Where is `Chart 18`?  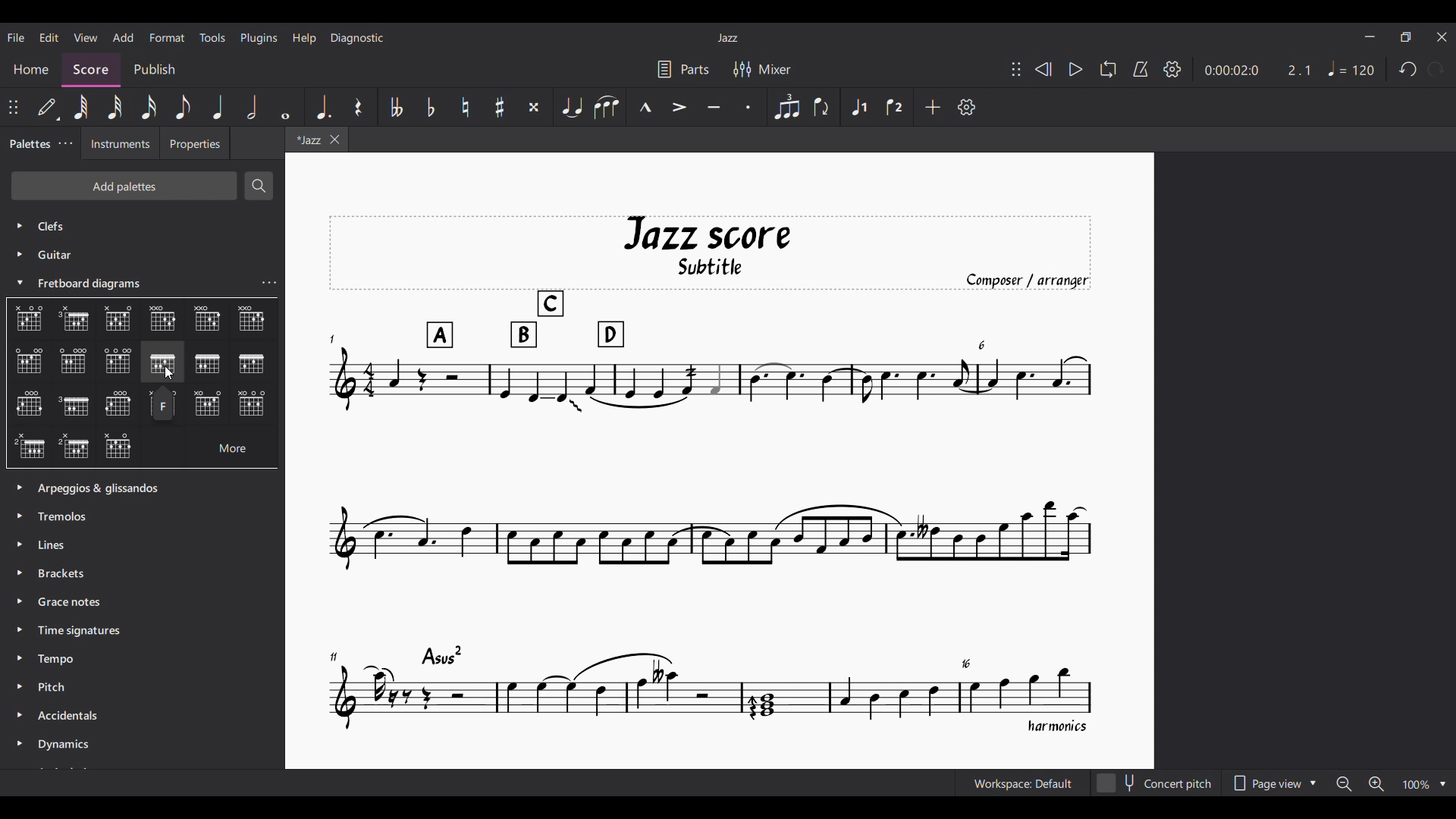 Chart 18 is located at coordinates (74, 447).